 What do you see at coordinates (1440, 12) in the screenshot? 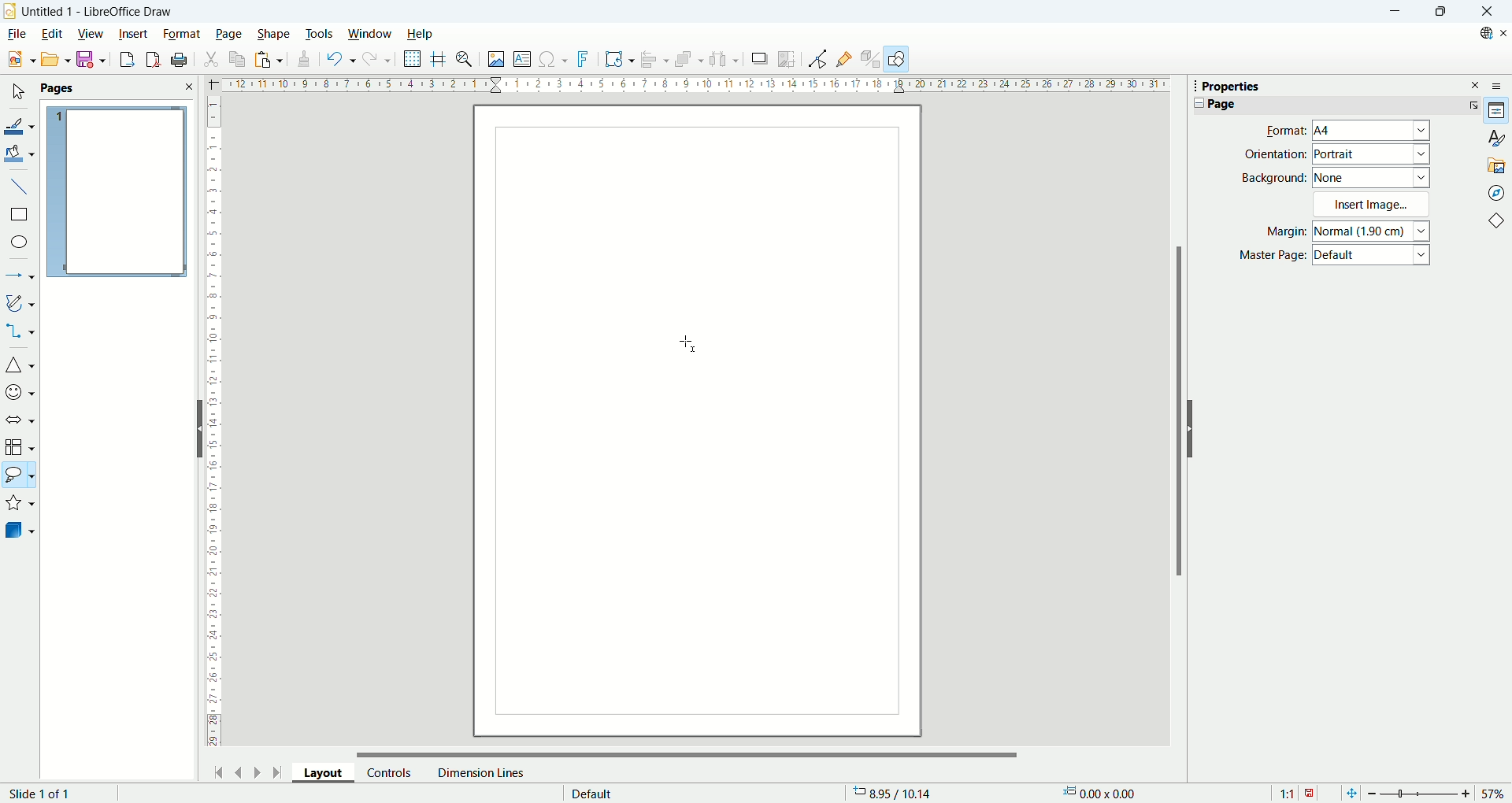
I see `Maximize` at bounding box center [1440, 12].